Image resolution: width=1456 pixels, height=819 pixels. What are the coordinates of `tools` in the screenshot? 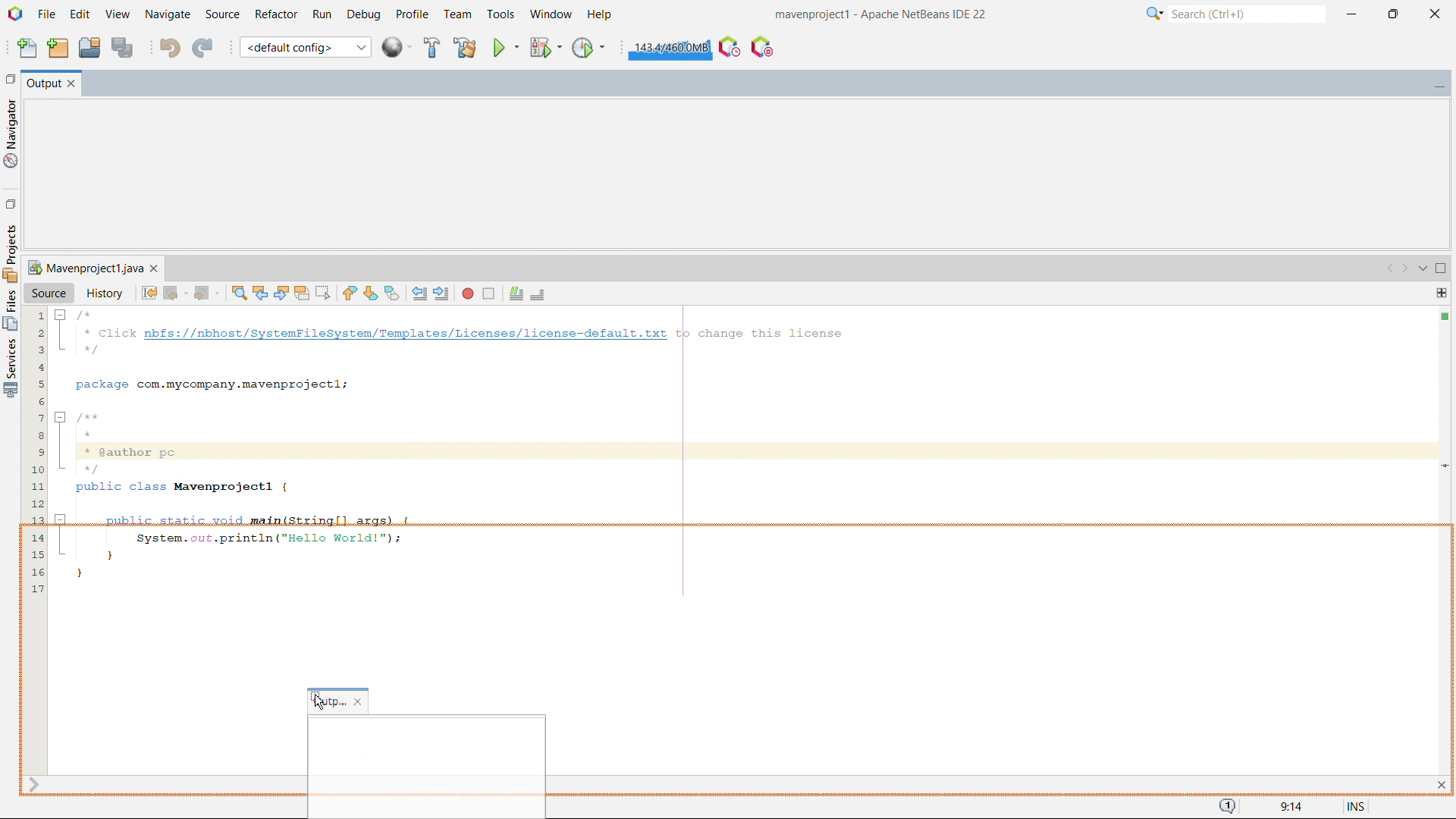 It's located at (500, 15).